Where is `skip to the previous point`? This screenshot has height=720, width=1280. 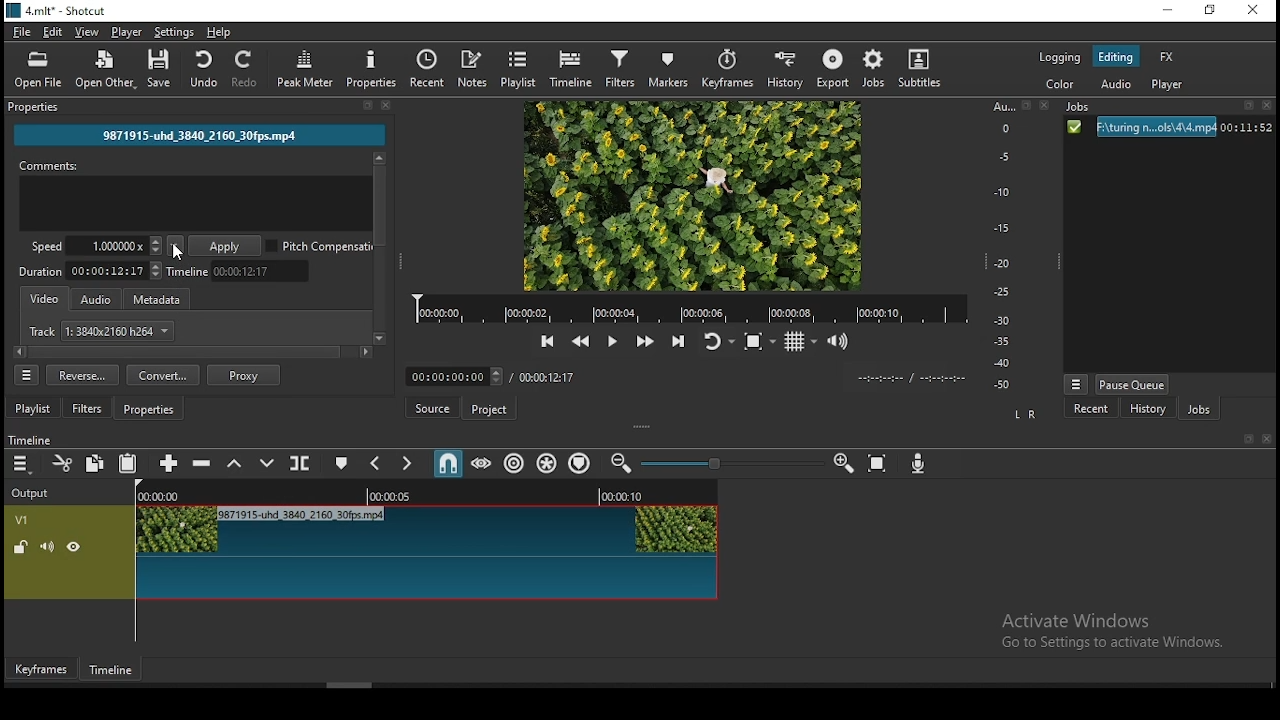 skip to the previous point is located at coordinates (547, 342).